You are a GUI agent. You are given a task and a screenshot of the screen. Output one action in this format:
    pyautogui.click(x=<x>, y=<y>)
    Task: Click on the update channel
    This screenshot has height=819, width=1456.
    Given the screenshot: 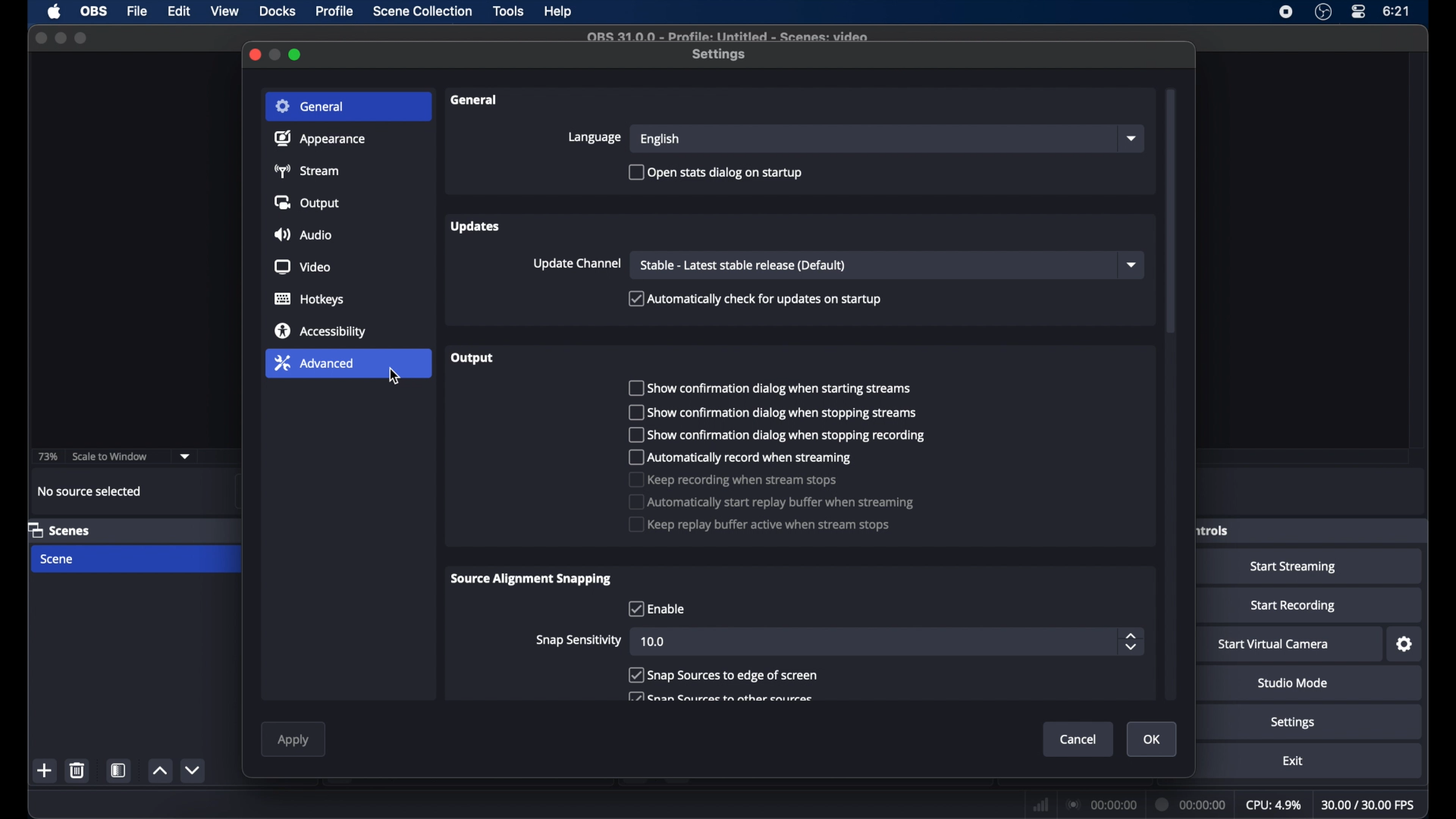 What is the action you would take?
    pyautogui.click(x=577, y=264)
    